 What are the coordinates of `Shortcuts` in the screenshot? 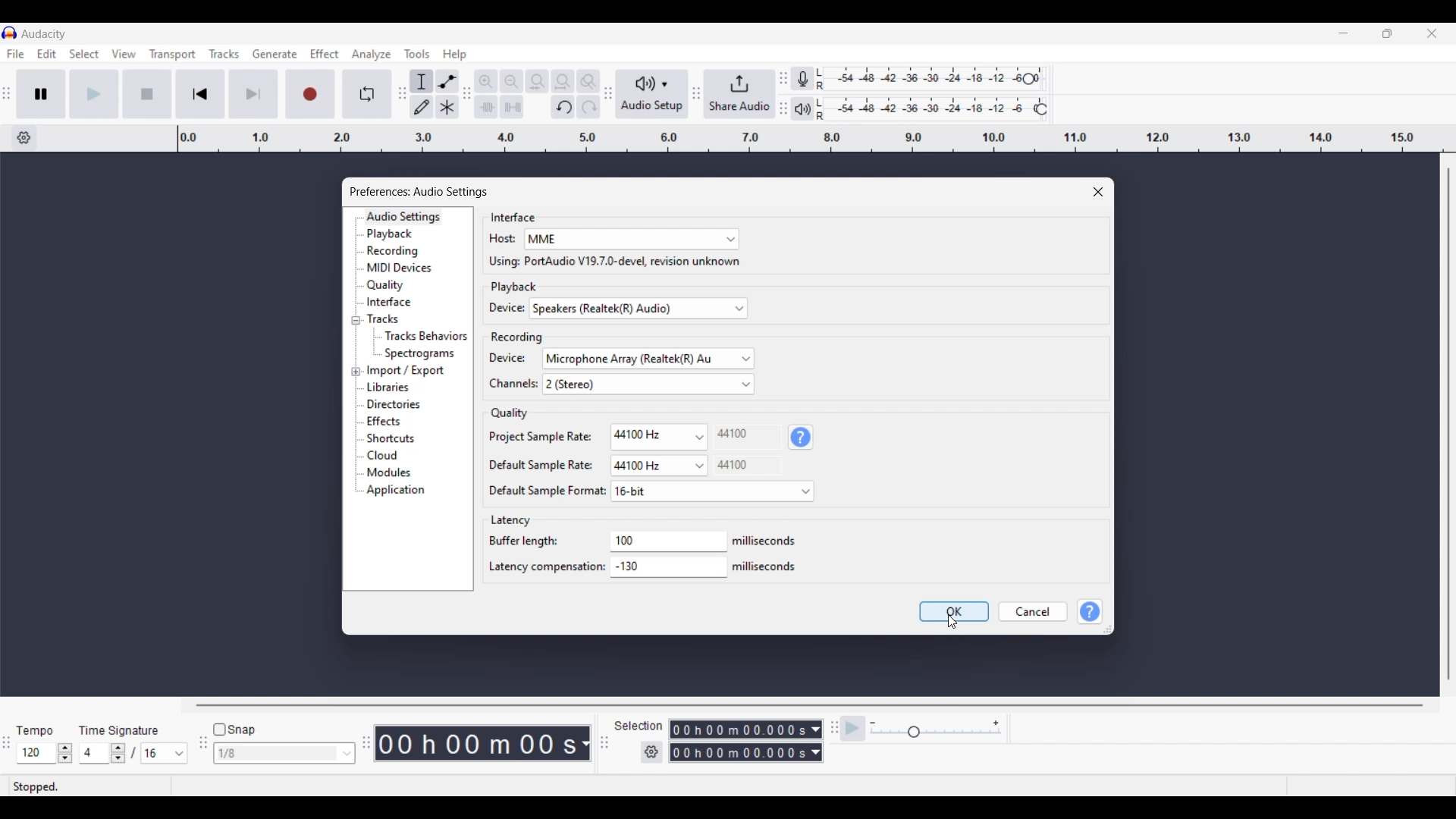 It's located at (402, 439).